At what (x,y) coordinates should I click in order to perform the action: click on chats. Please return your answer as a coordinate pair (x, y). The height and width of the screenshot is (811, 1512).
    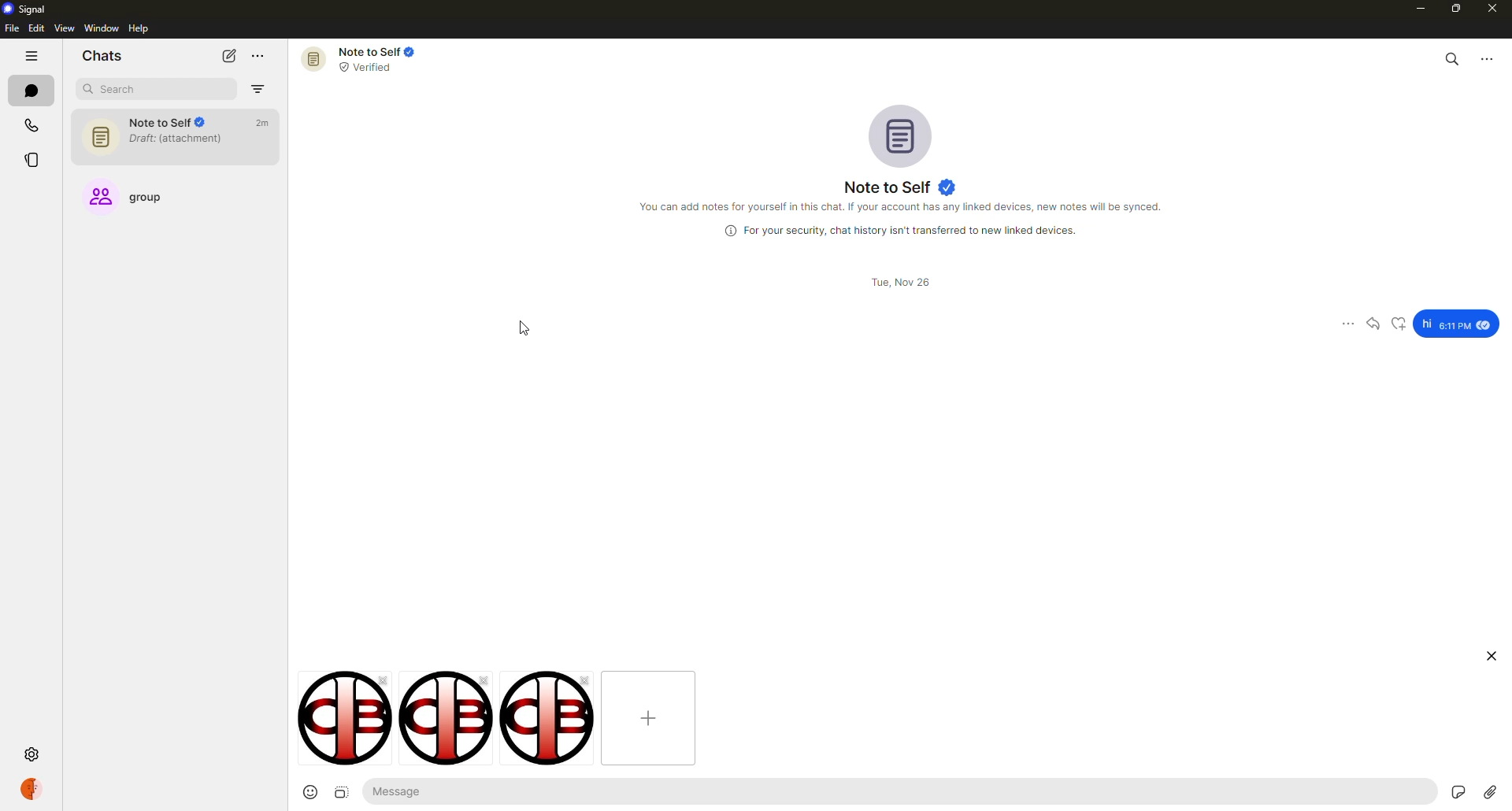
    Looking at the image, I should click on (30, 92).